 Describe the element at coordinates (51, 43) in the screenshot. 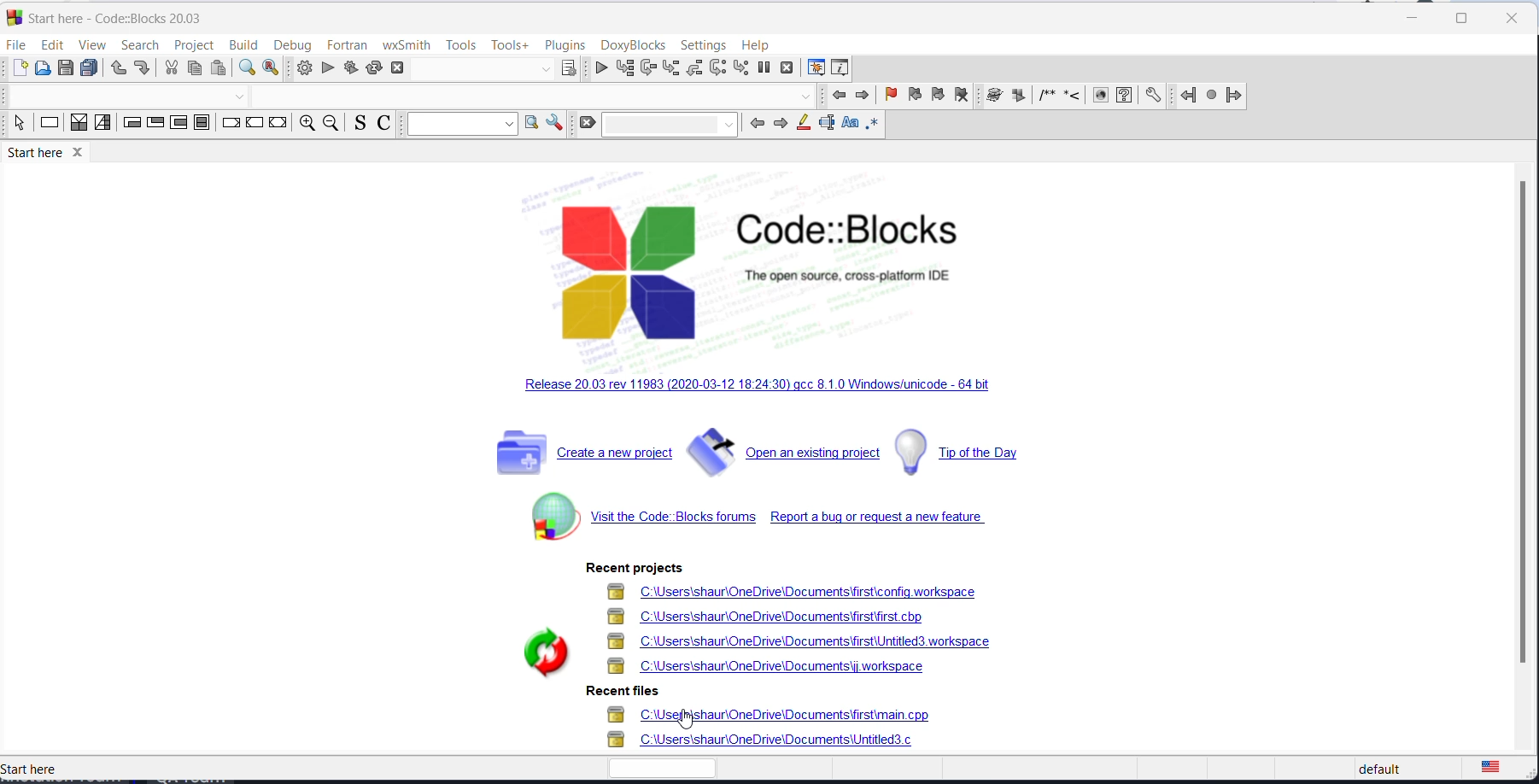

I see `edit` at that location.